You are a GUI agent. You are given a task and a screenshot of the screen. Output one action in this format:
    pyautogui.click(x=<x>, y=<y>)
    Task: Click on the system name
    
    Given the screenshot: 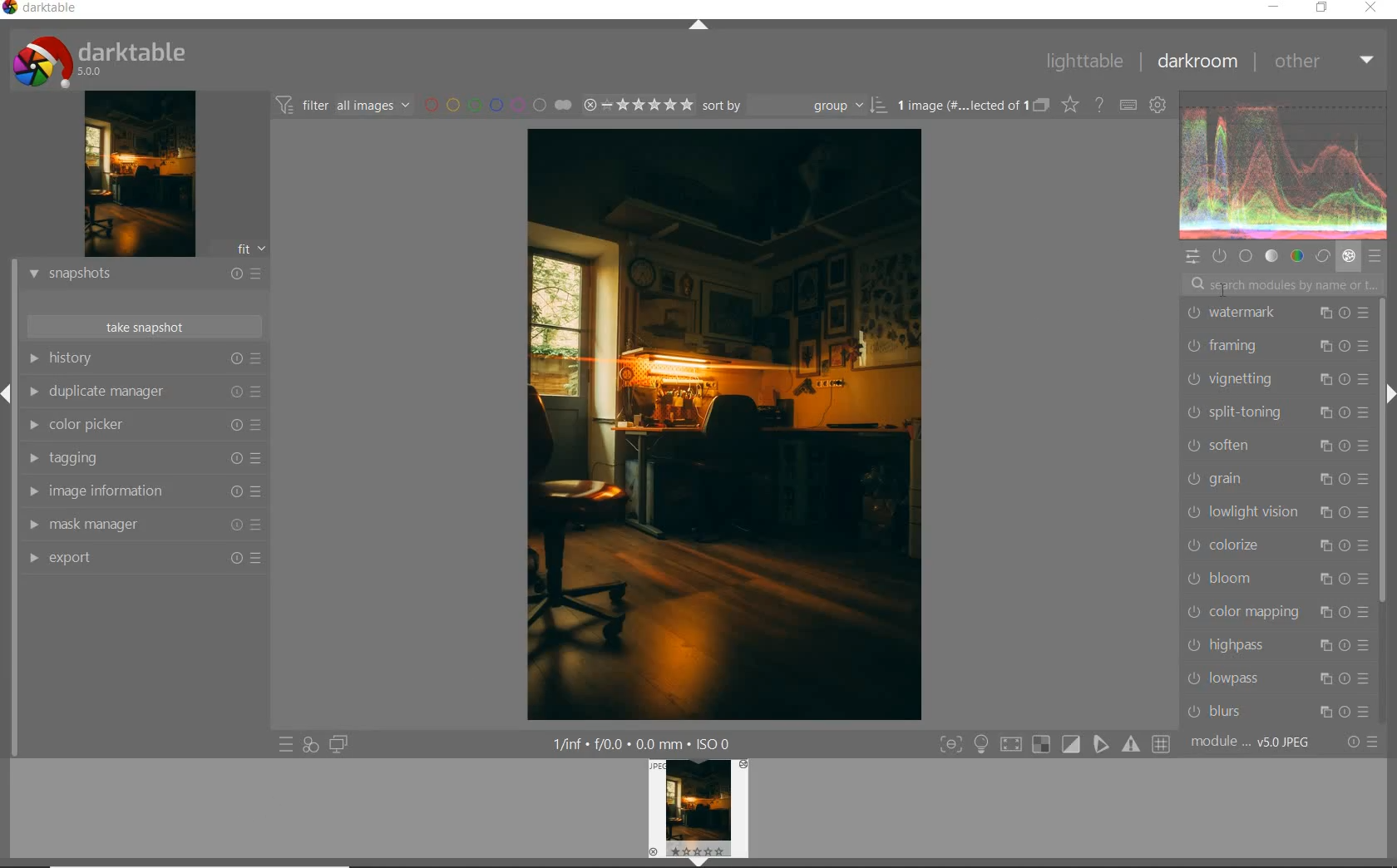 What is the action you would take?
    pyautogui.click(x=45, y=10)
    